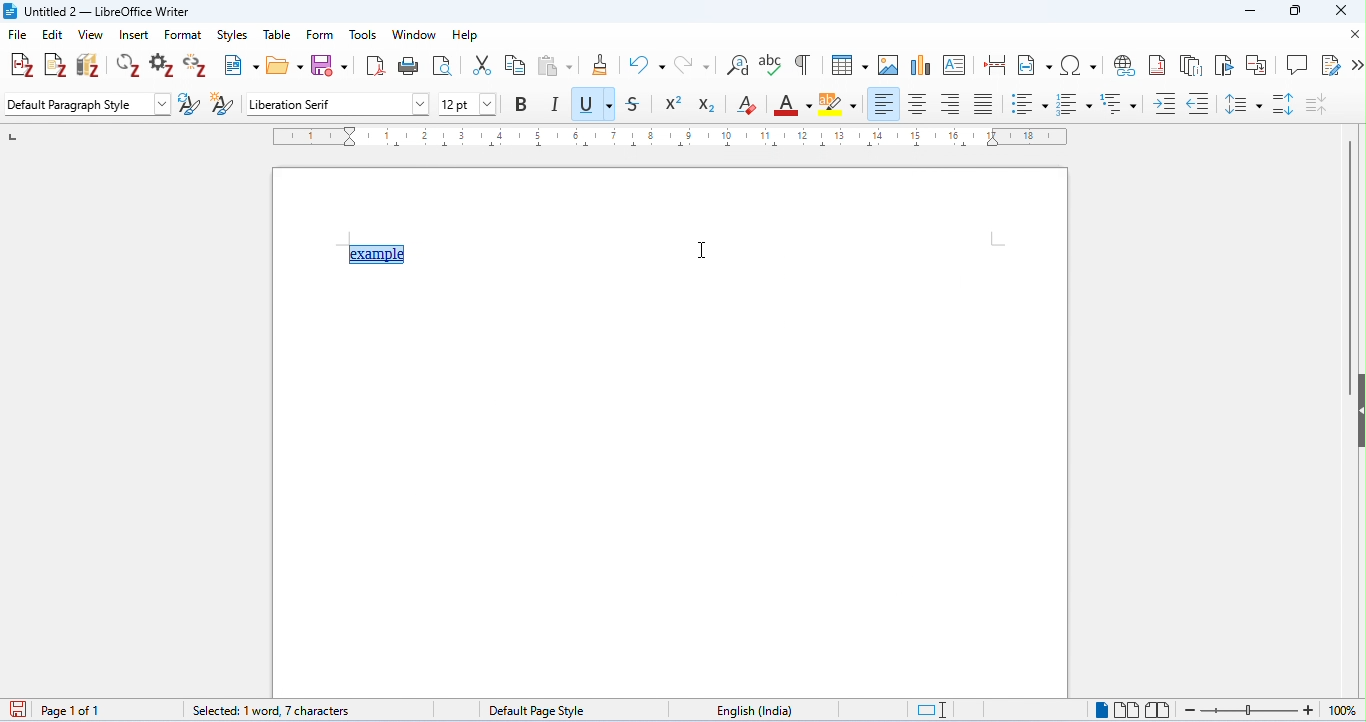  What do you see at coordinates (284, 64) in the screenshot?
I see `open` at bounding box center [284, 64].